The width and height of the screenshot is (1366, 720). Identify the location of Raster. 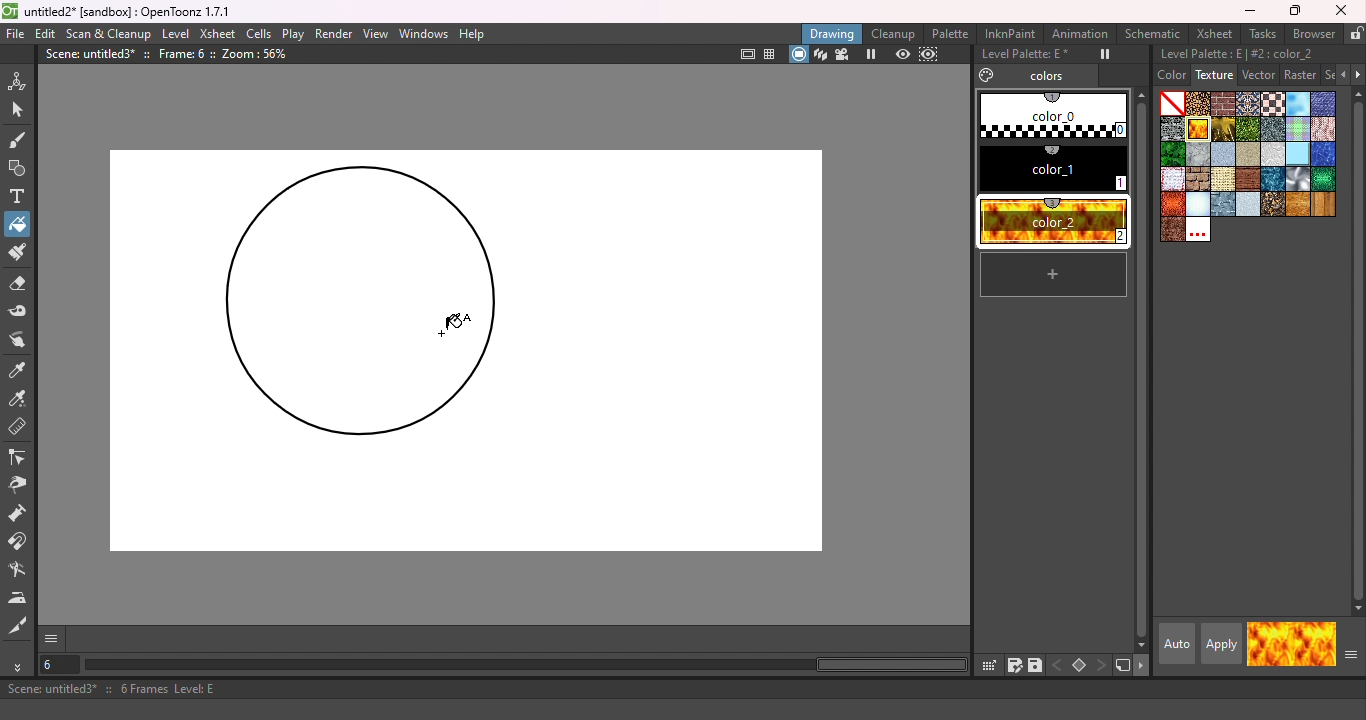
(1301, 75).